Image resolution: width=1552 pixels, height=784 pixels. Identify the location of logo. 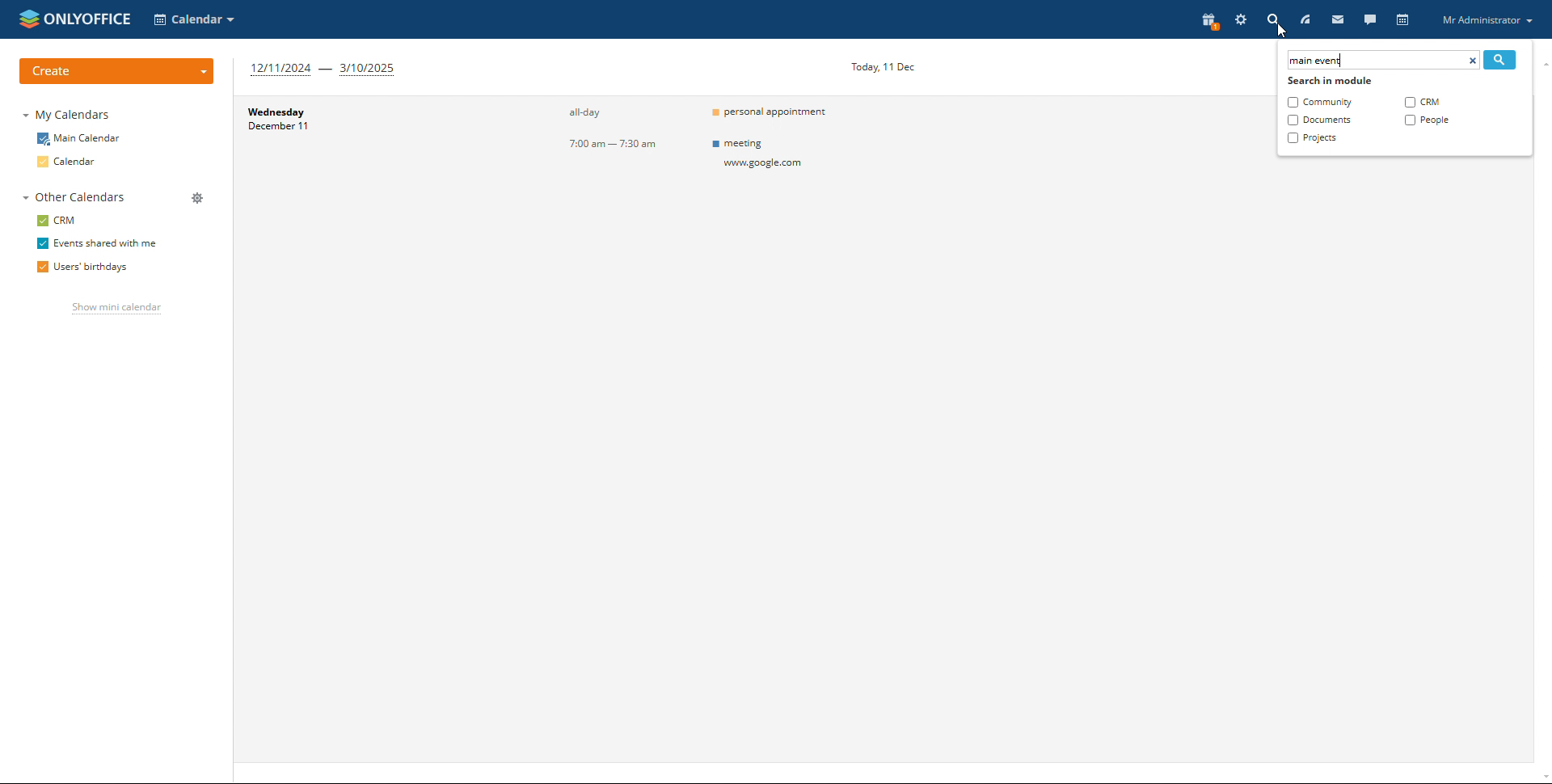
(73, 19).